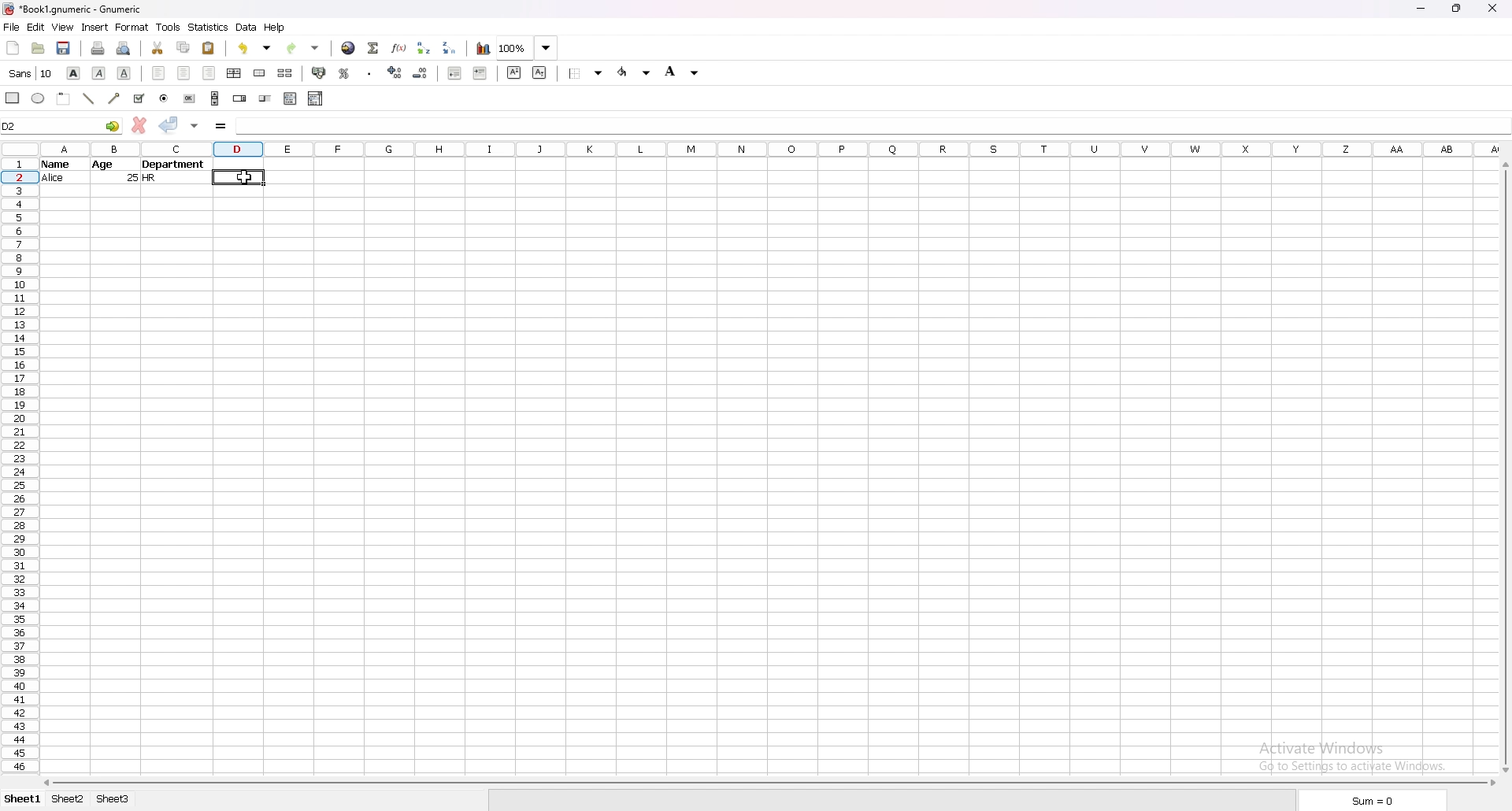  Describe the element at coordinates (13, 98) in the screenshot. I see `rectangle` at that location.